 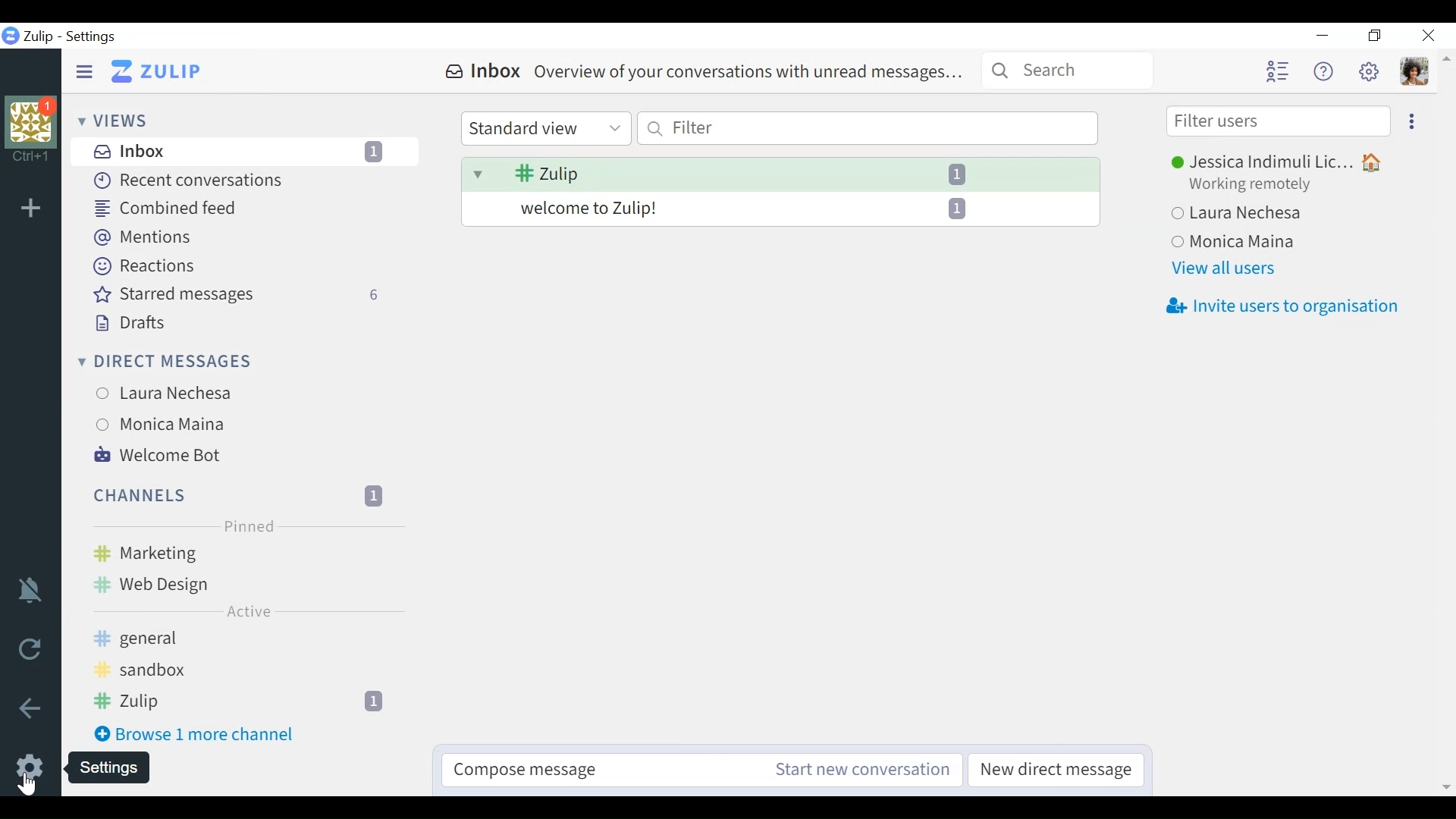 What do you see at coordinates (248, 528) in the screenshot?
I see `Pinned` at bounding box center [248, 528].